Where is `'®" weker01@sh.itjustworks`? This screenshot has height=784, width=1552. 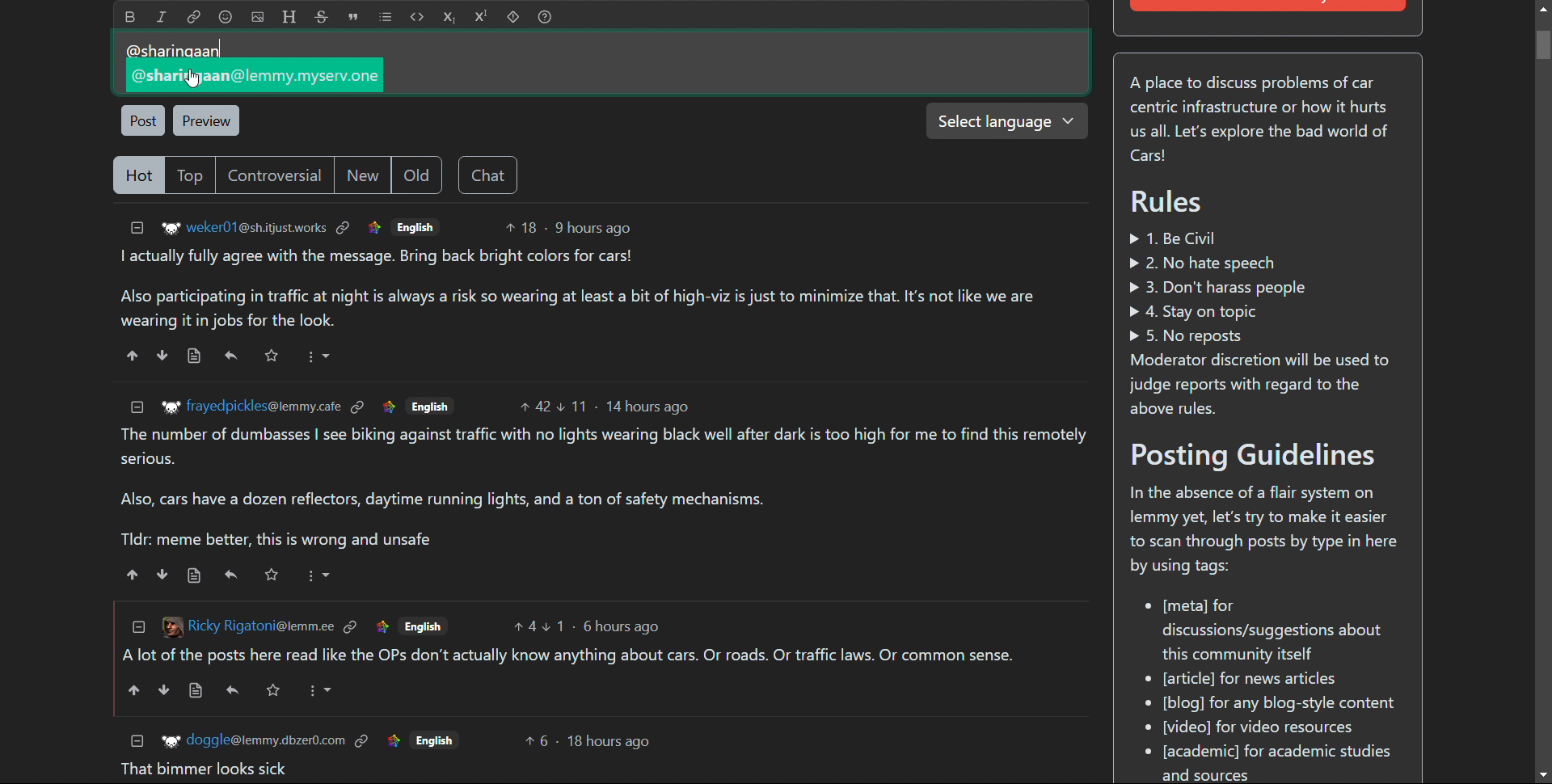 '®" weker01@sh.itjustworks is located at coordinates (244, 230).